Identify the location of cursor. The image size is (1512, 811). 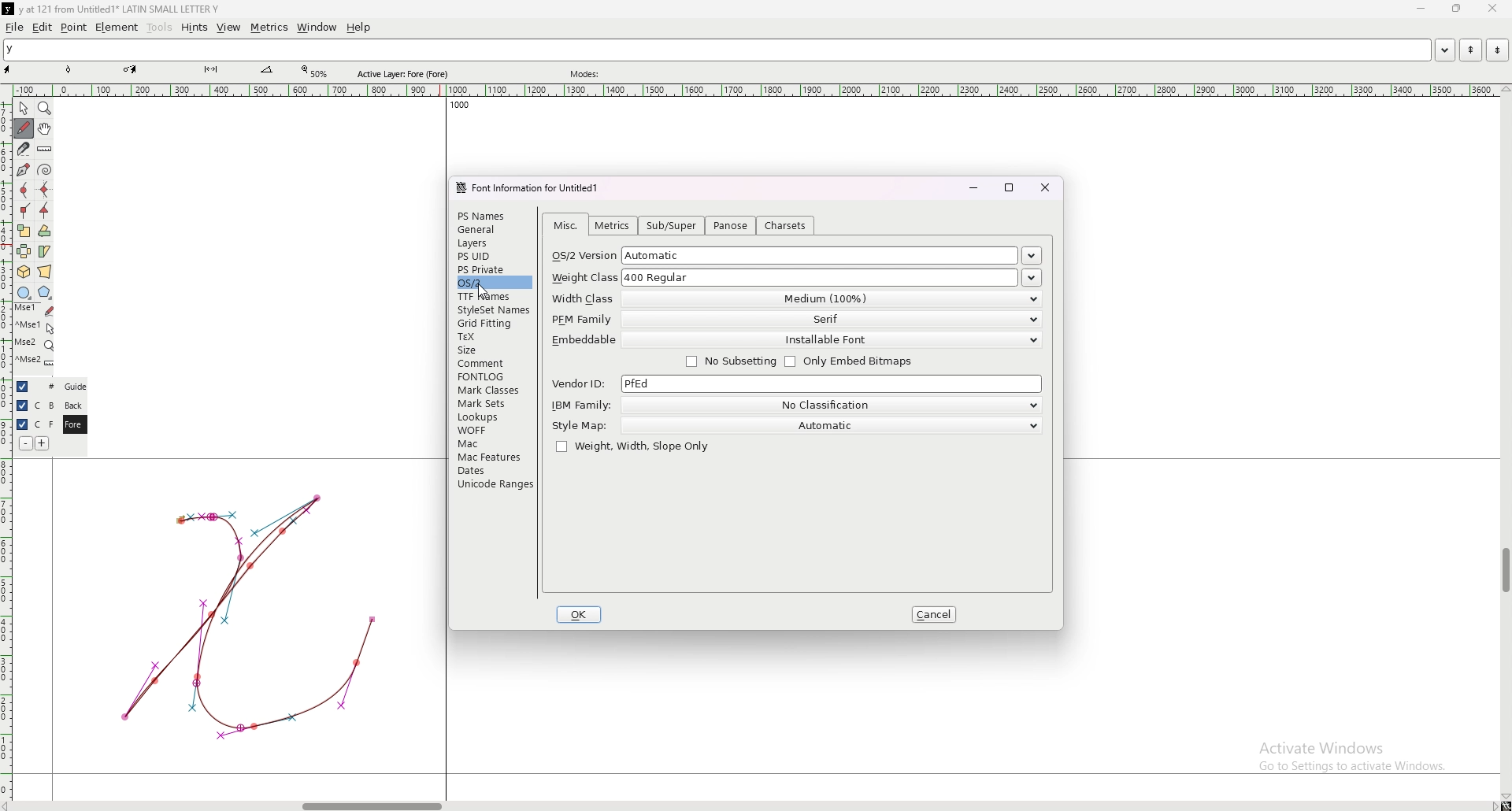
(486, 294).